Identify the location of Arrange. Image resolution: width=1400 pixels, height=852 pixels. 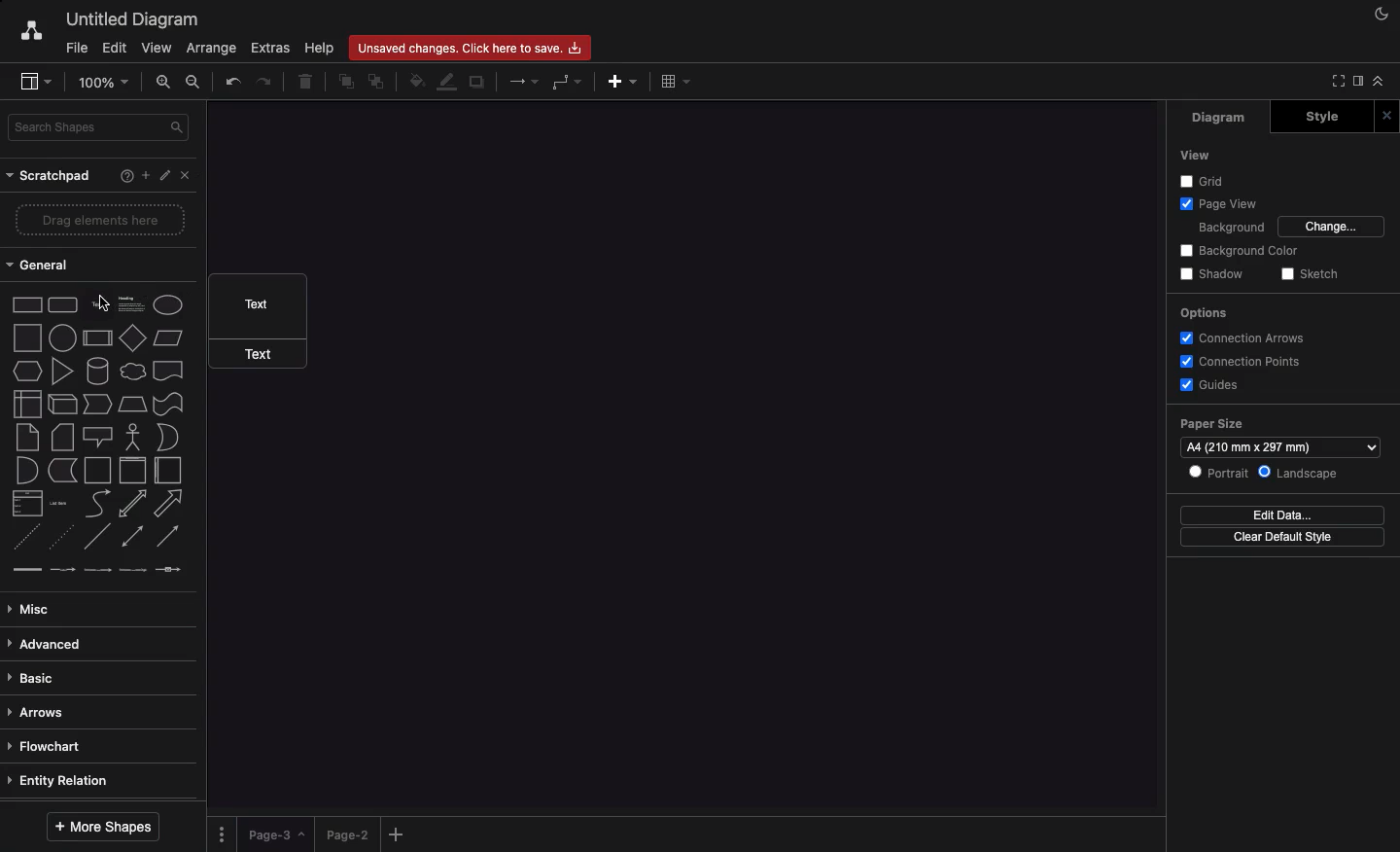
(208, 49).